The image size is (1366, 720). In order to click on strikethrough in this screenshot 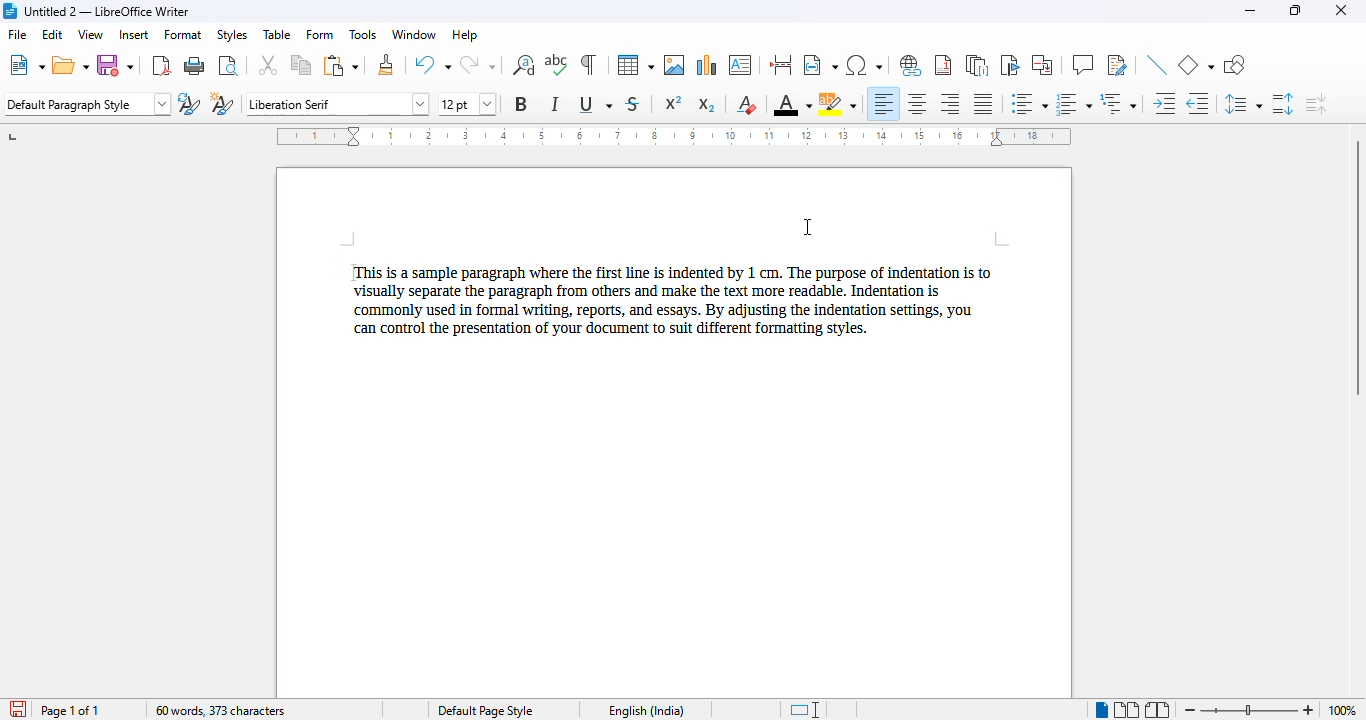, I will do `click(634, 104)`.